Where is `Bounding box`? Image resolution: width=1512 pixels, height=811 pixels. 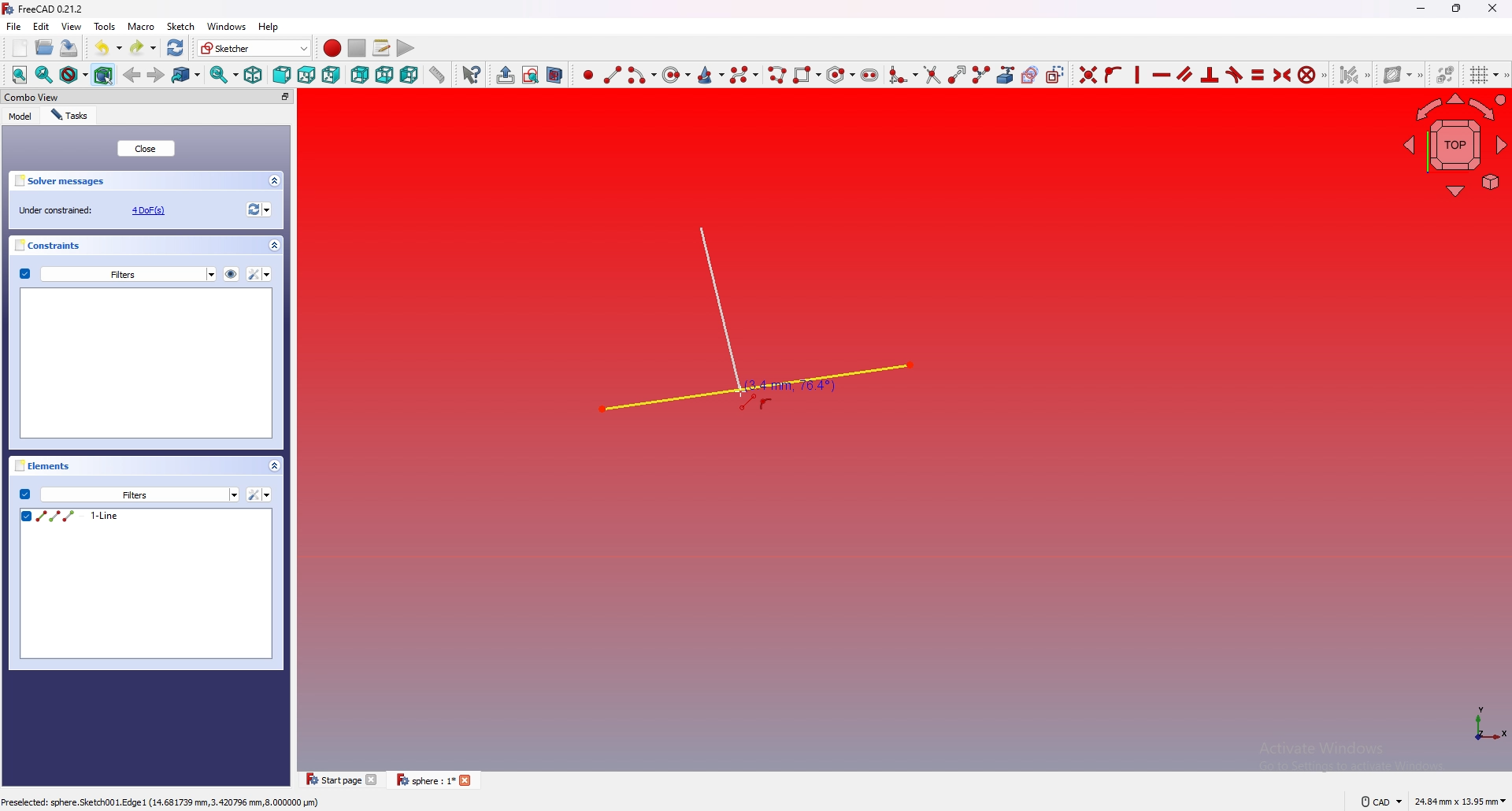
Bounding box is located at coordinates (105, 74).